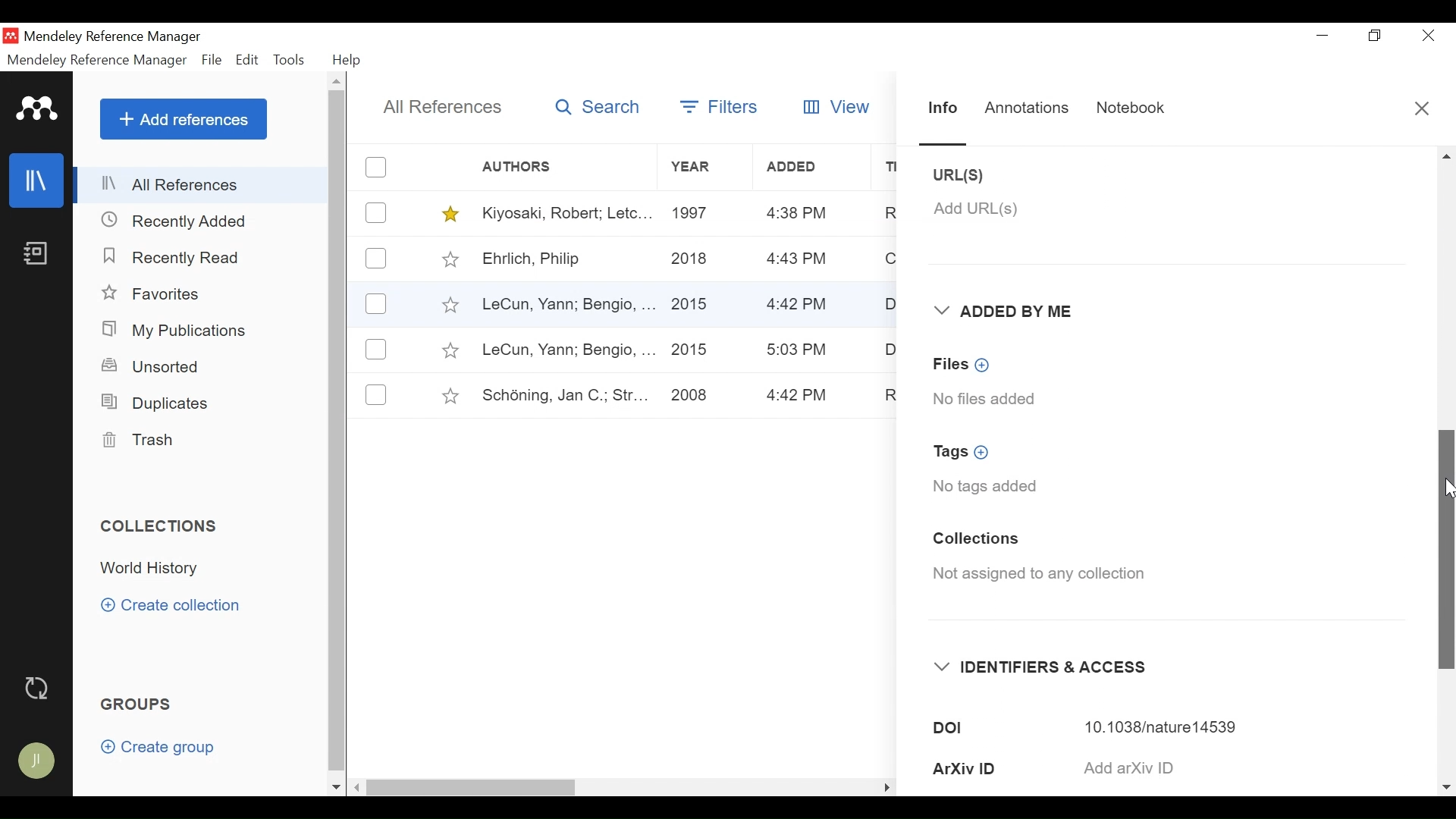 The width and height of the screenshot is (1456, 819). Describe the element at coordinates (162, 295) in the screenshot. I see `Favorites` at that location.